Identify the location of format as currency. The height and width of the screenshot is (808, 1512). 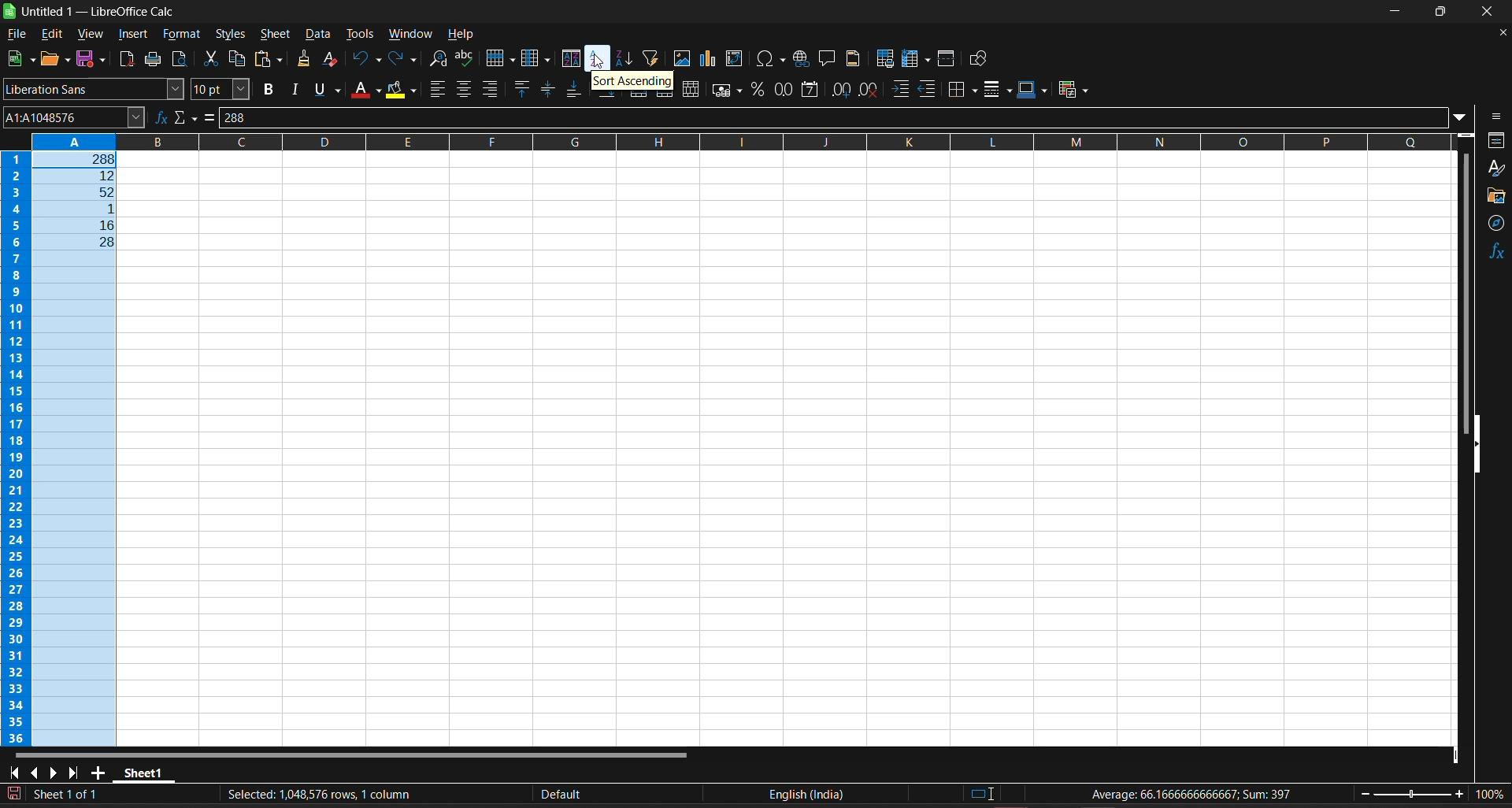
(726, 87).